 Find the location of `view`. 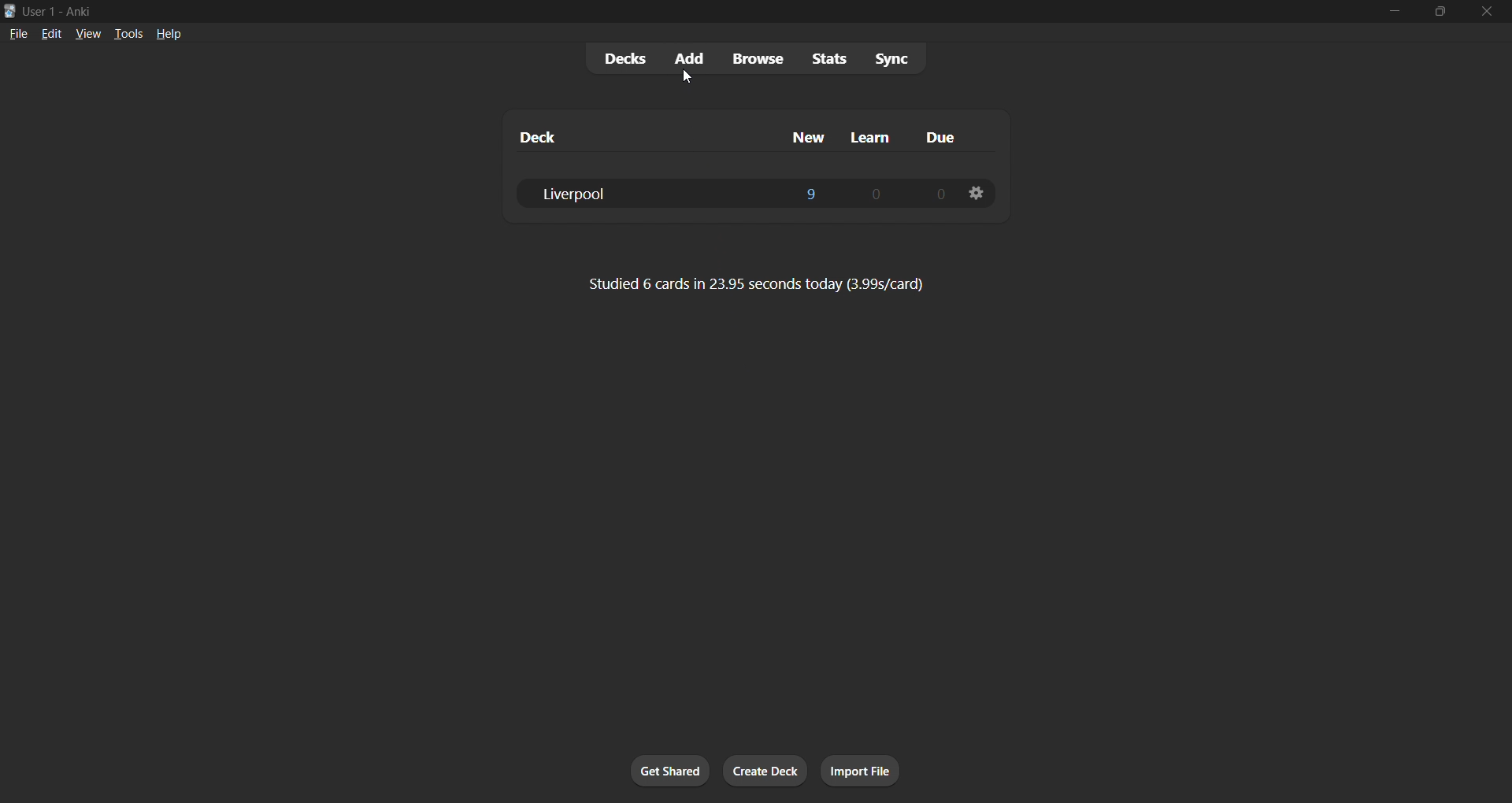

view is located at coordinates (85, 33).